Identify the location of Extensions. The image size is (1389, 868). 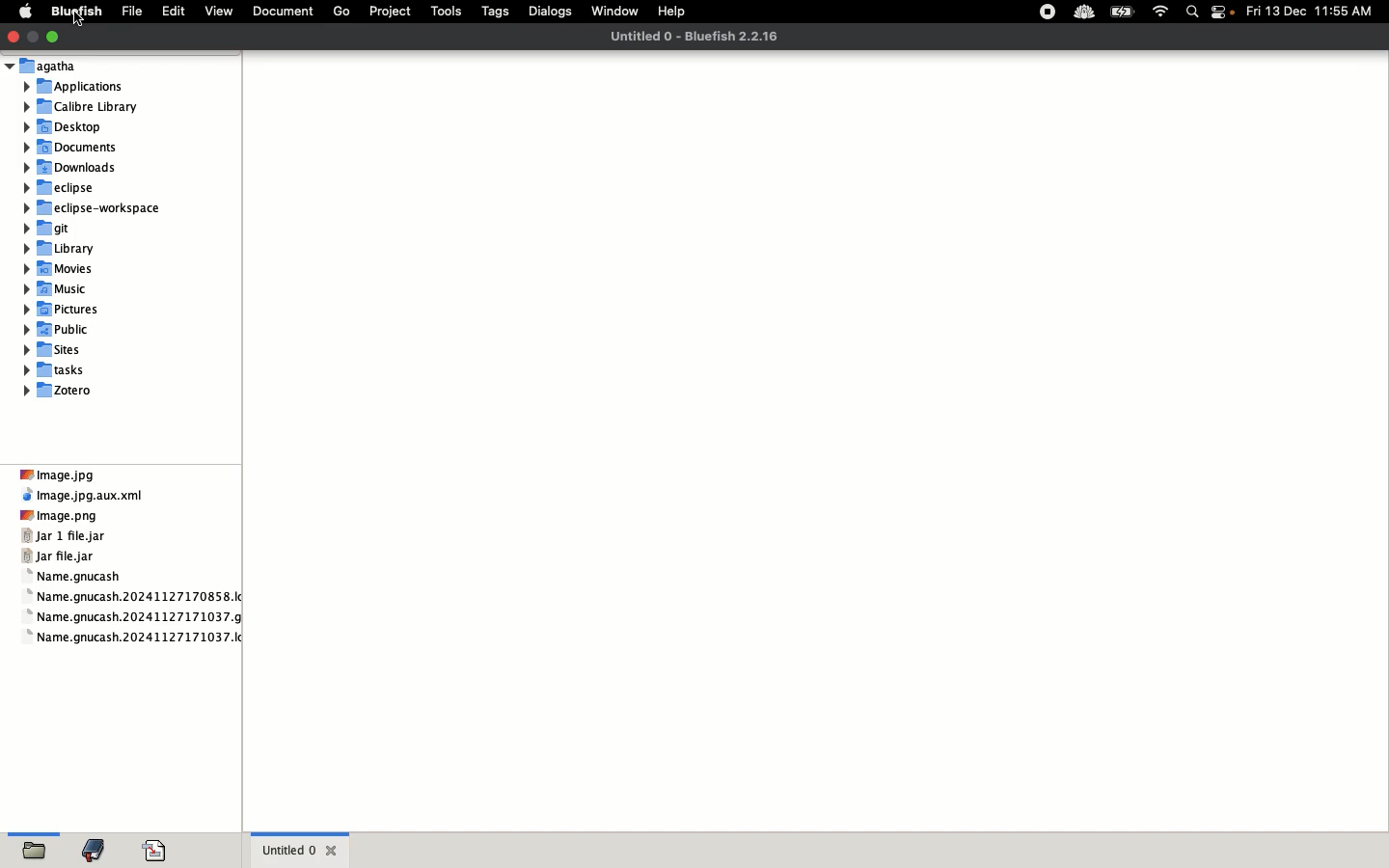
(1064, 12).